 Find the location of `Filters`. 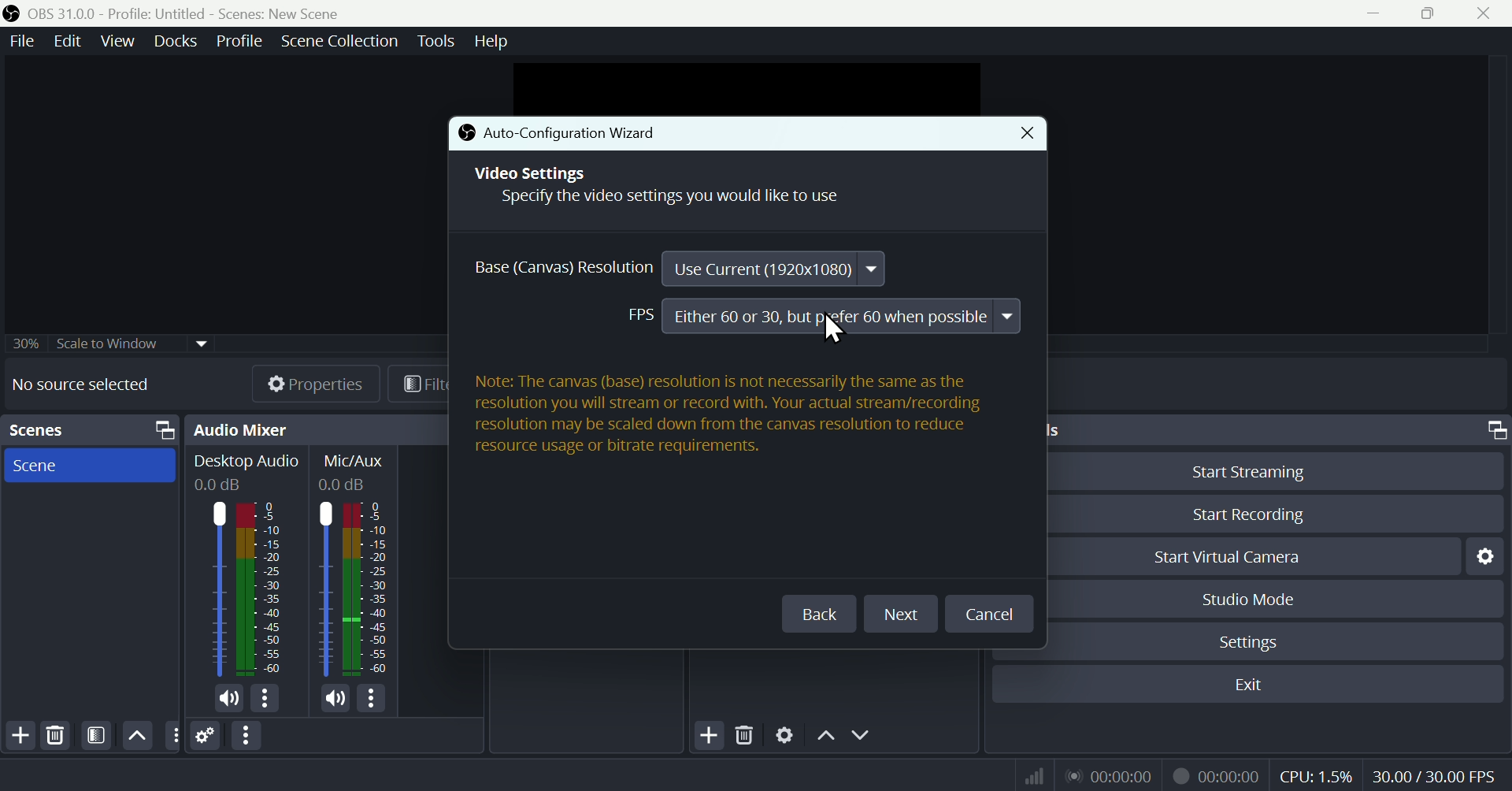

Filters is located at coordinates (419, 383).